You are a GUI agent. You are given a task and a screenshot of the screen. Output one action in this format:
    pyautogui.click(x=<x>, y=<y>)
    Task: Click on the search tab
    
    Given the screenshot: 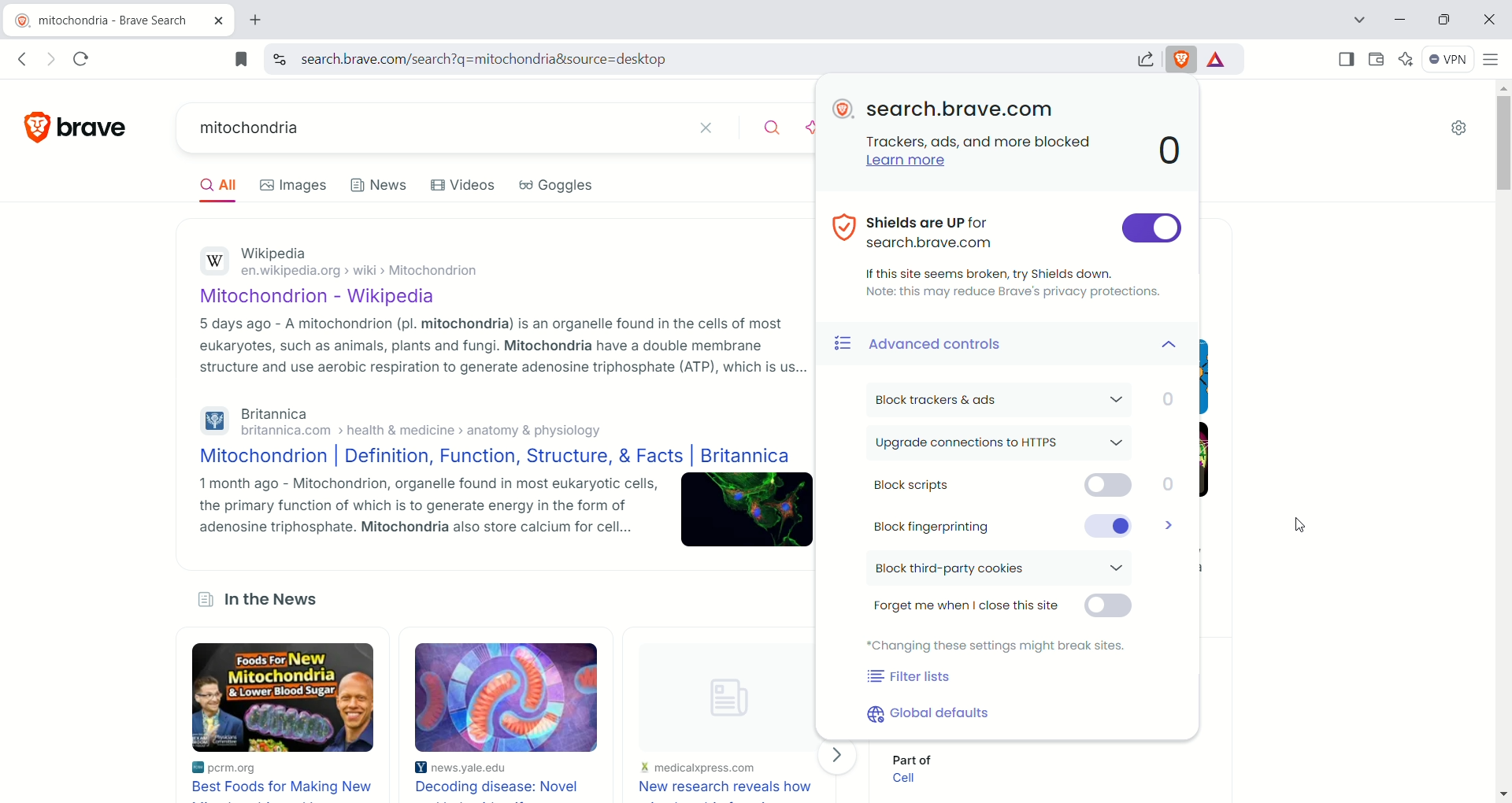 What is the action you would take?
    pyautogui.click(x=1358, y=22)
    